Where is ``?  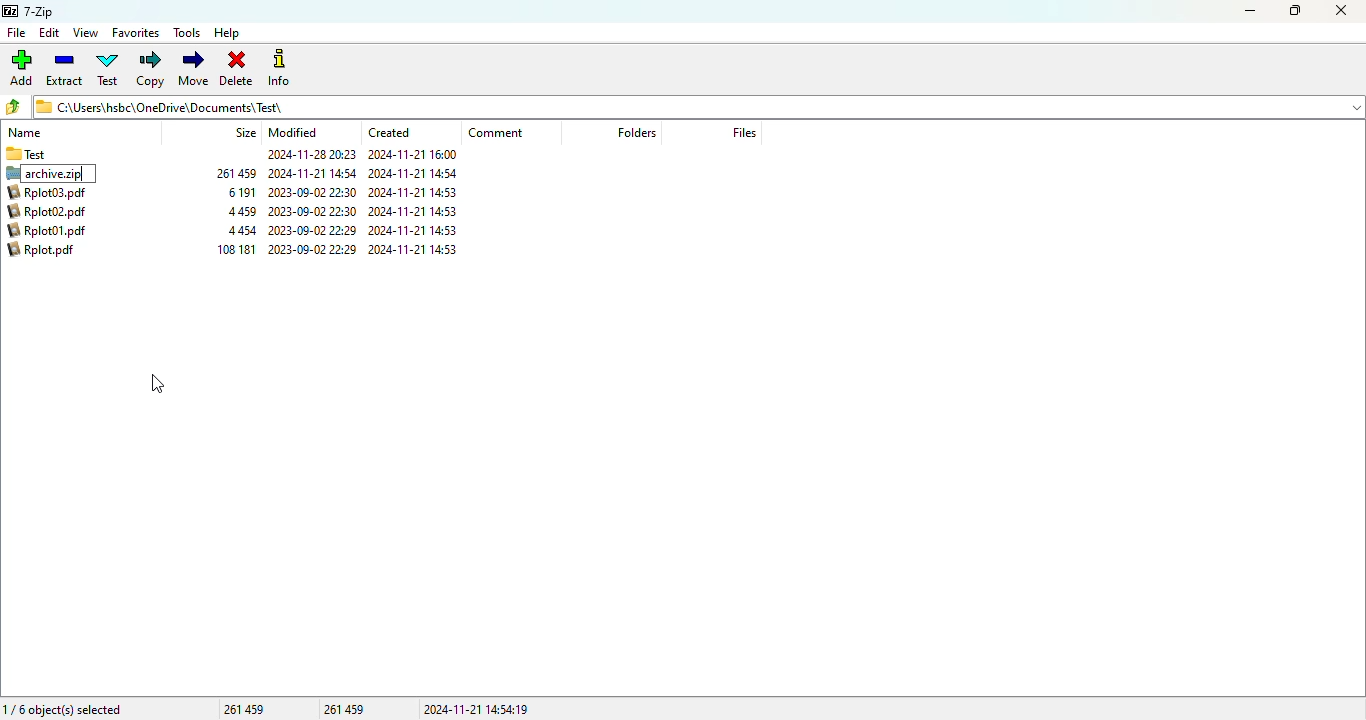
 is located at coordinates (311, 154).